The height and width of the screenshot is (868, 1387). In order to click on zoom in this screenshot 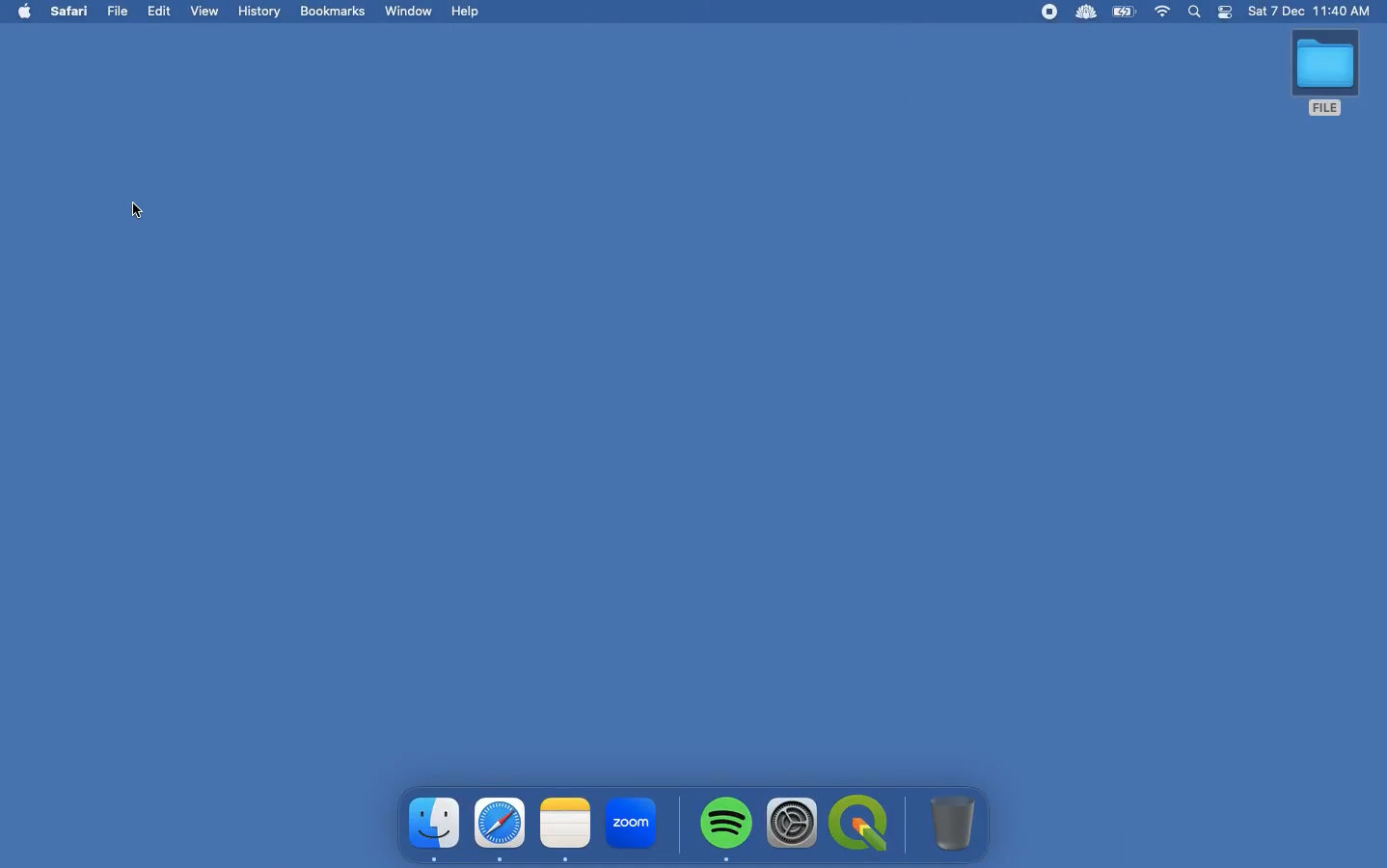, I will do `click(632, 823)`.